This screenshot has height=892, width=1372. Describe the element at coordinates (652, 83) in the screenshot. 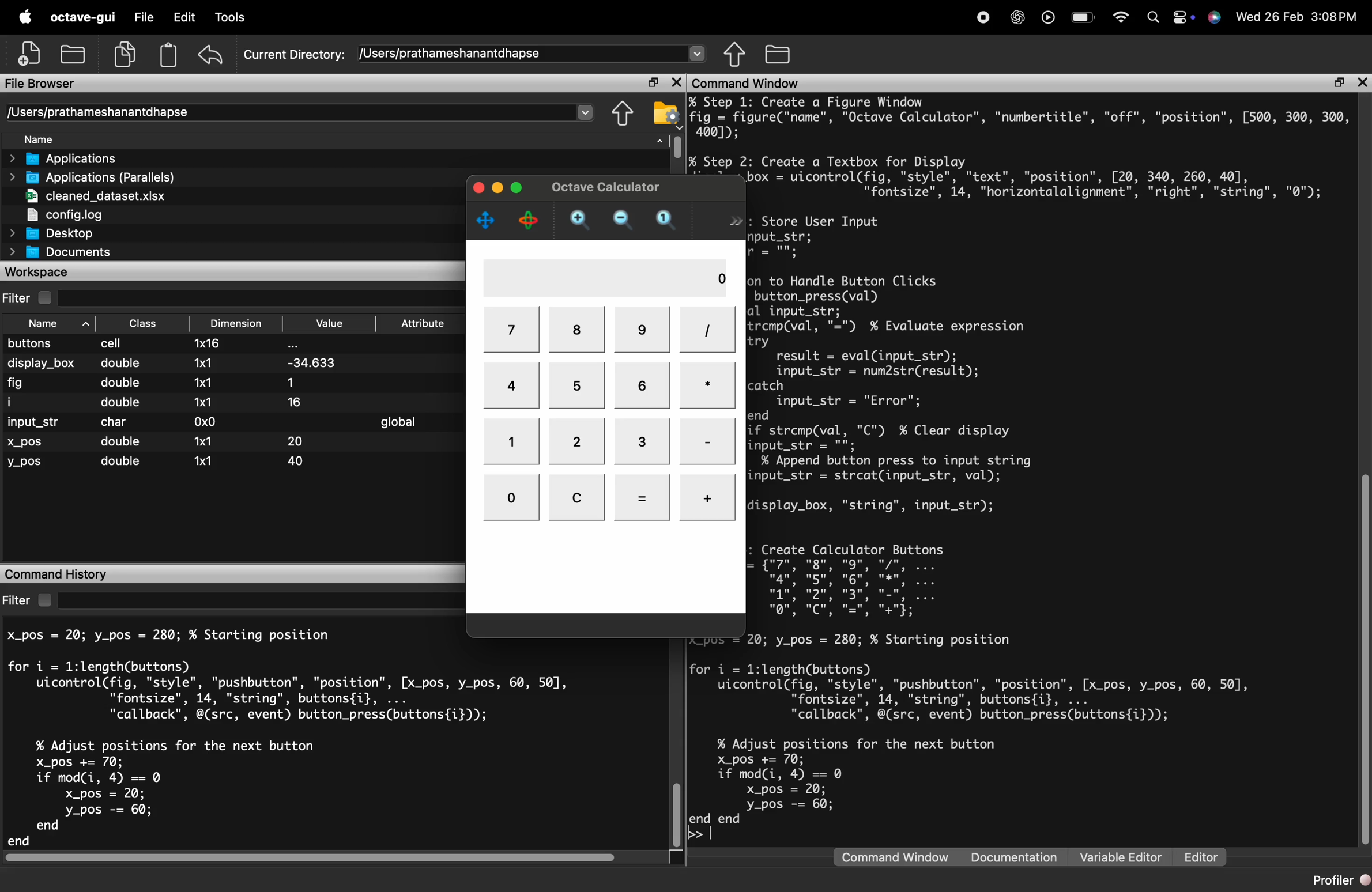

I see `maximize` at that location.